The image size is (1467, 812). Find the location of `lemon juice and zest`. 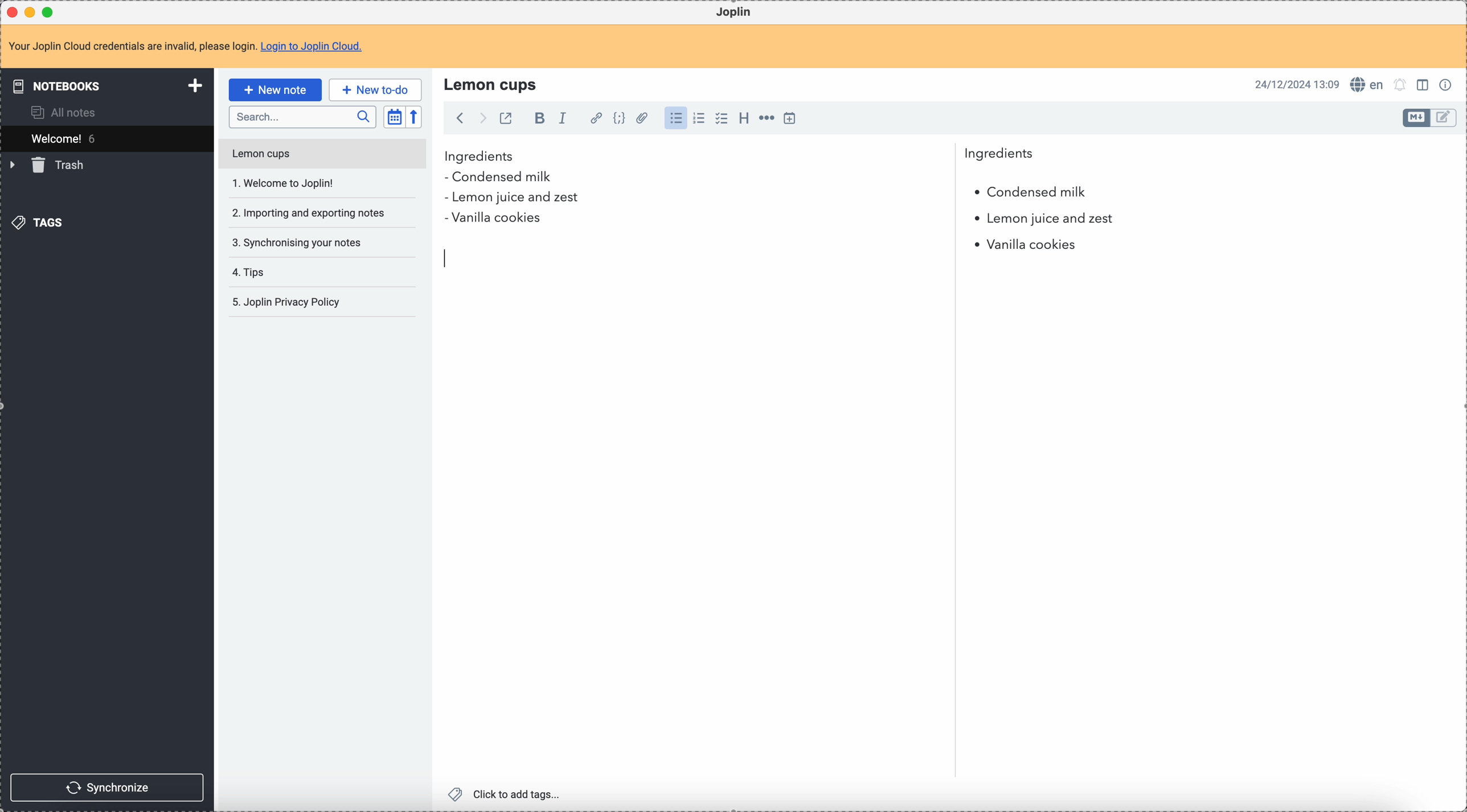

lemon juice and zest is located at coordinates (511, 199).